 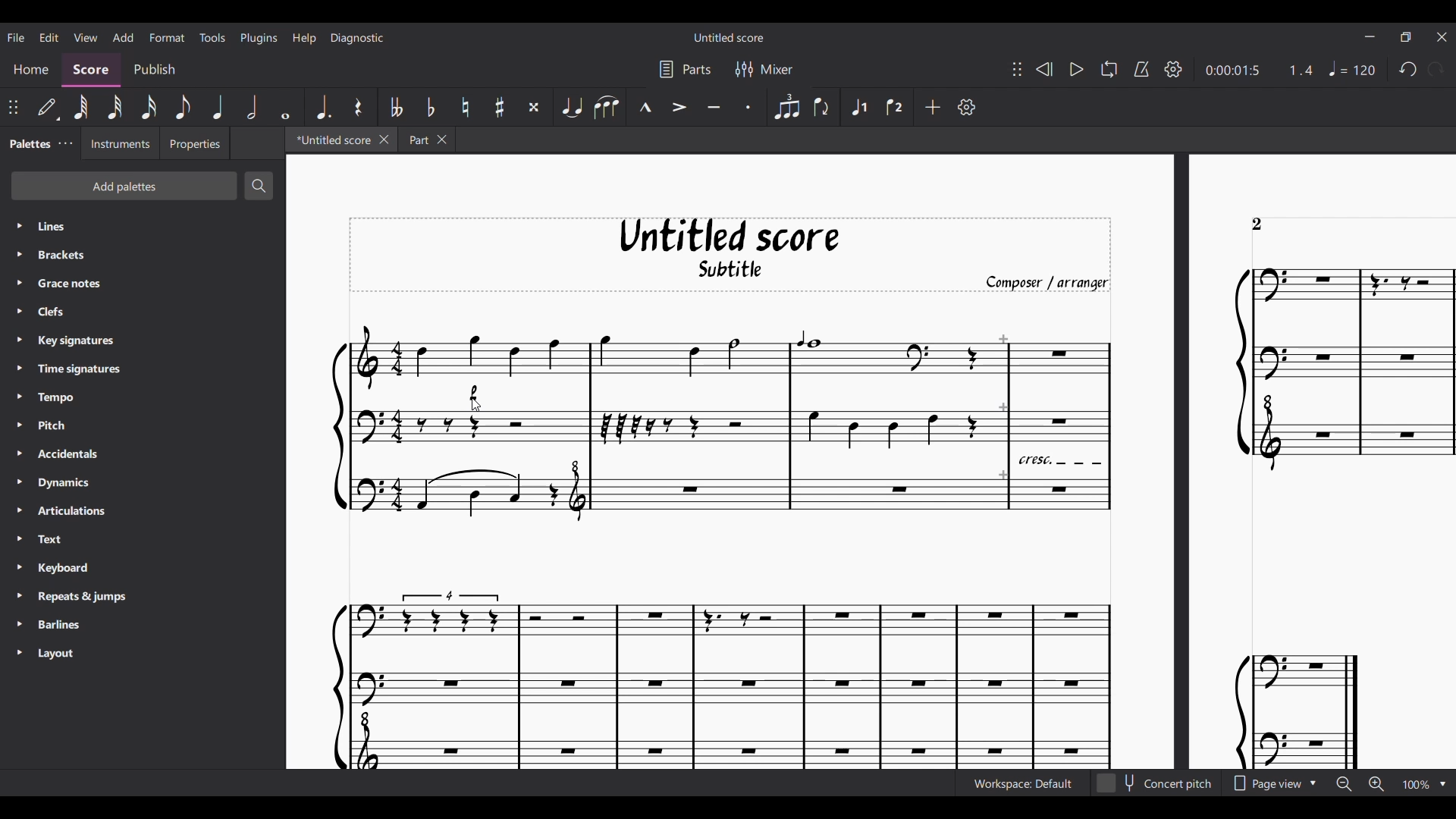 What do you see at coordinates (219, 107) in the screenshot?
I see `Quarter note` at bounding box center [219, 107].